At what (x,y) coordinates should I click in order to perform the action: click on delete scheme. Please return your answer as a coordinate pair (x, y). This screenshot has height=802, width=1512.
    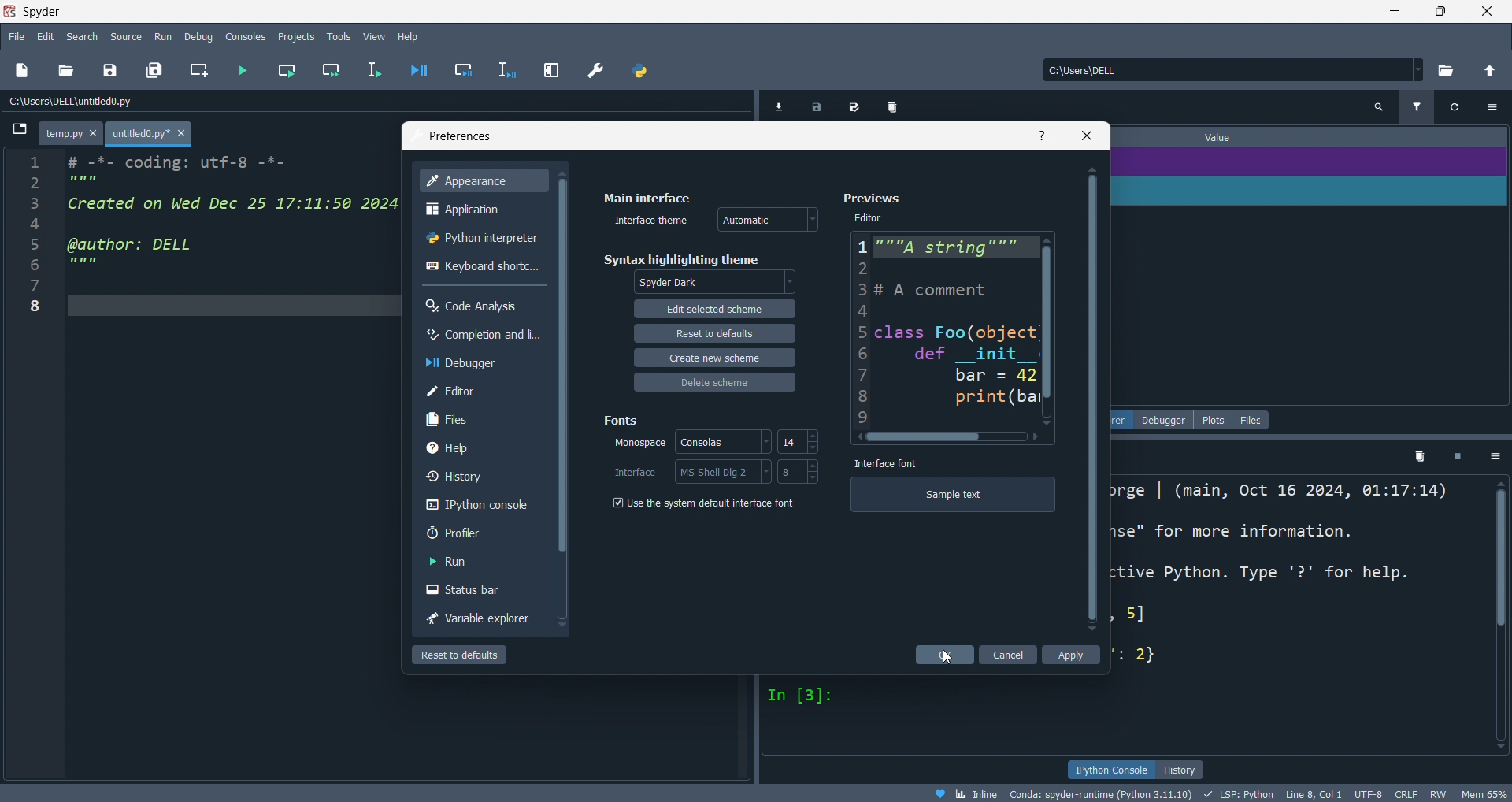
    Looking at the image, I should click on (712, 381).